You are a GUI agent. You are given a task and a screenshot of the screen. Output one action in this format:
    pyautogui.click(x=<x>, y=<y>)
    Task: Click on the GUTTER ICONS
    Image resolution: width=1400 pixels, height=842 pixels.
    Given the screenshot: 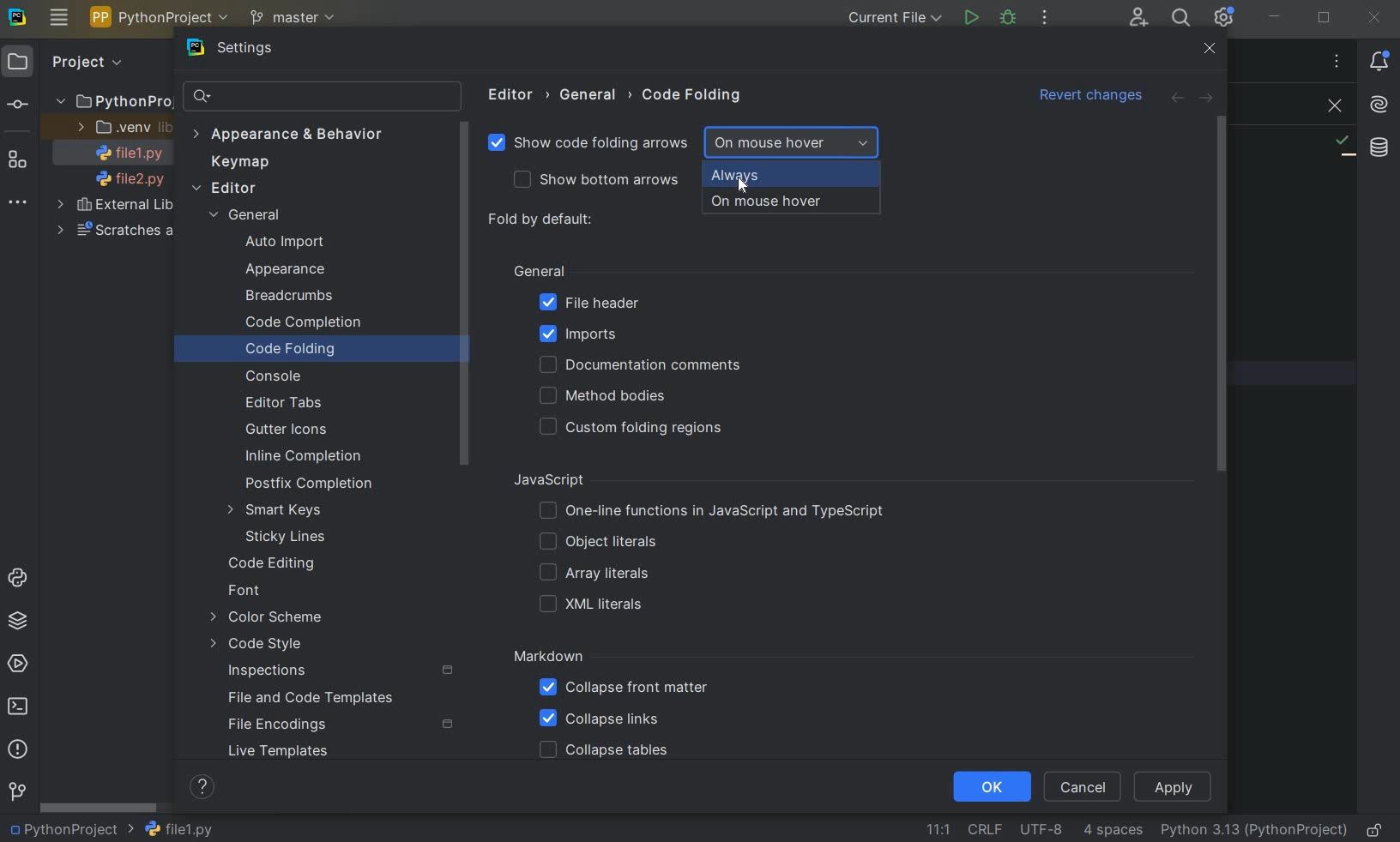 What is the action you would take?
    pyautogui.click(x=291, y=430)
    